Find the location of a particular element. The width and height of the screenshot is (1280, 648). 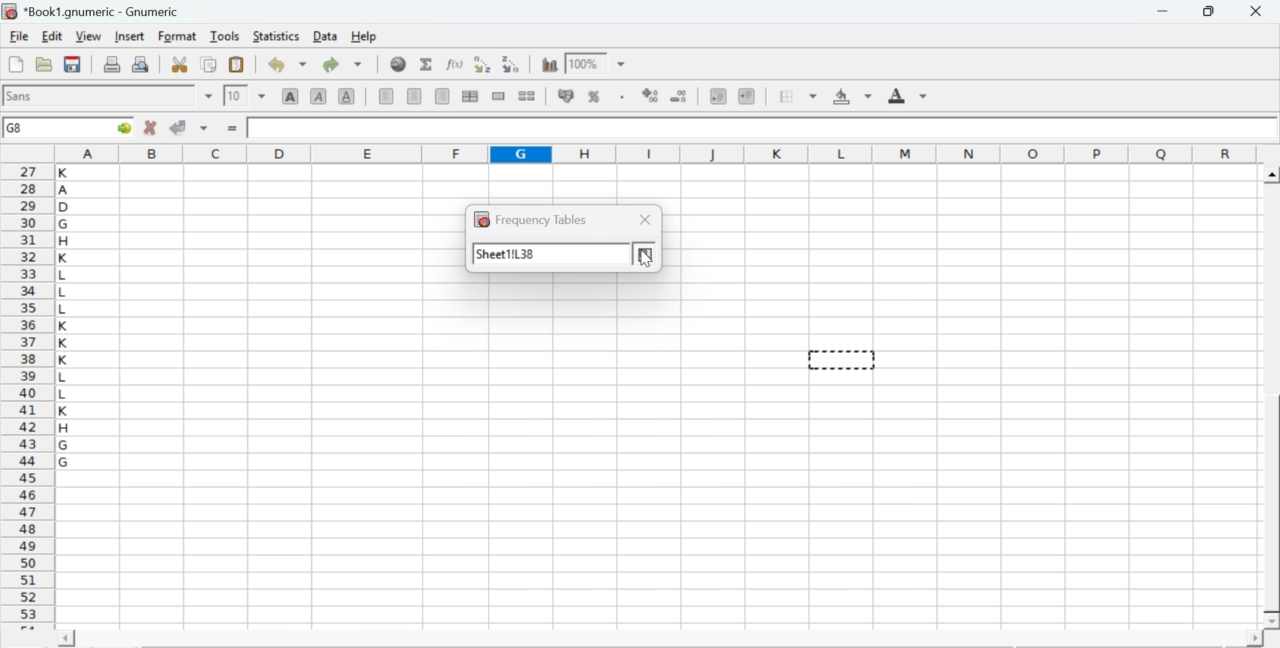

insert is located at coordinates (128, 35).